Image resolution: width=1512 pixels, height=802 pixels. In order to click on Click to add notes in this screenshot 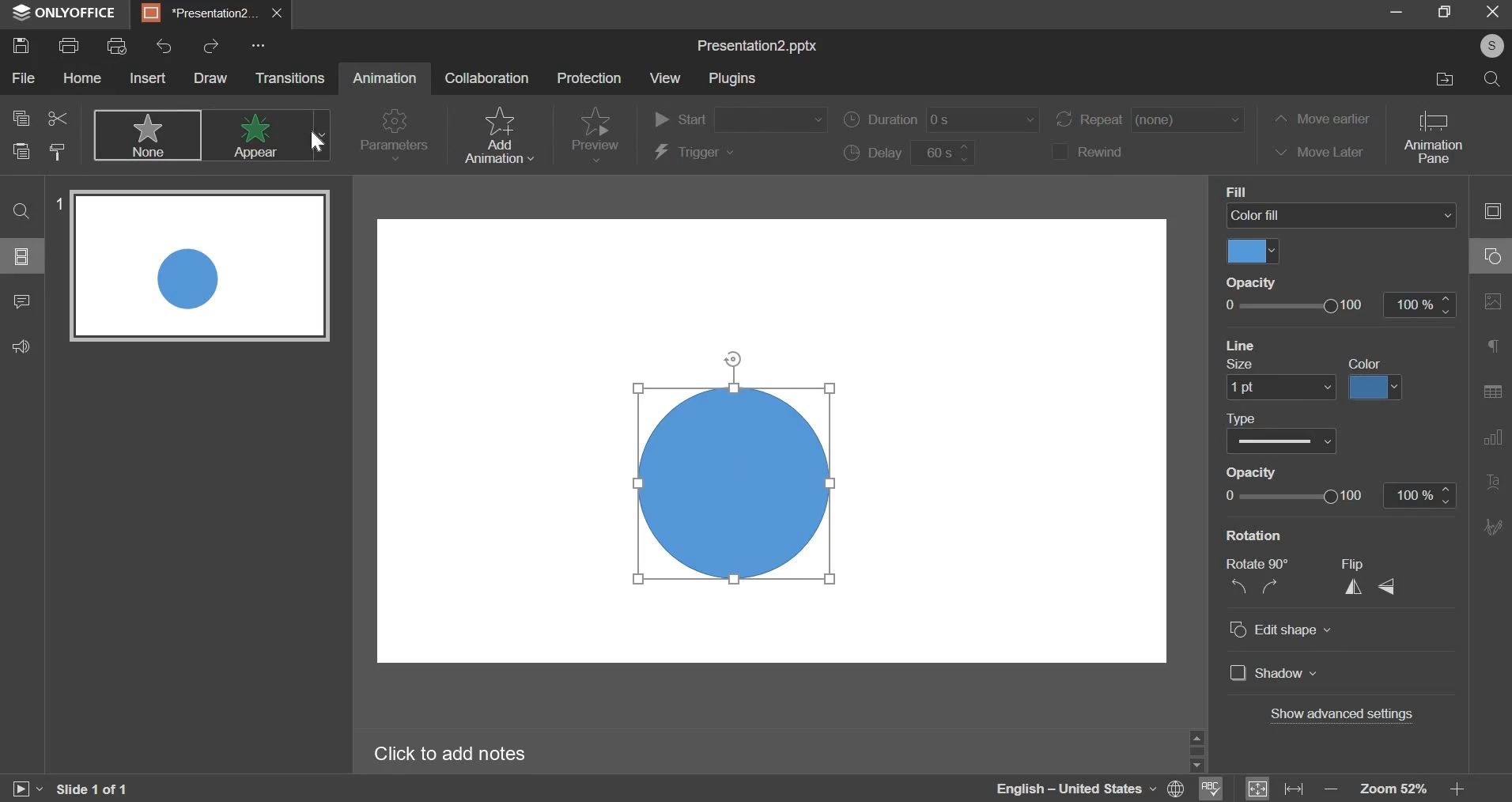, I will do `click(482, 754)`.